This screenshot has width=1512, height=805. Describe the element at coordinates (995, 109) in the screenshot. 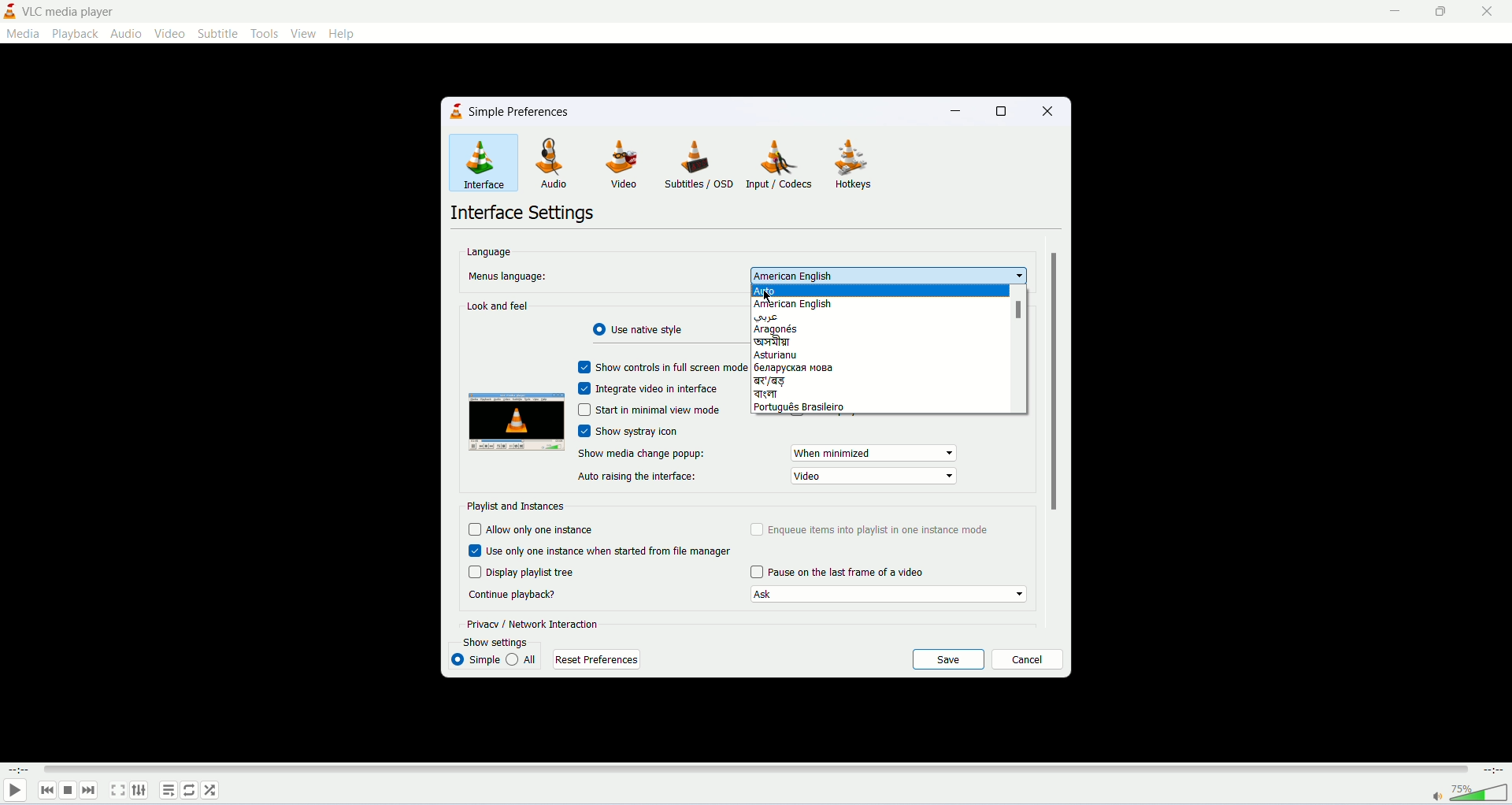

I see `maximize` at that location.